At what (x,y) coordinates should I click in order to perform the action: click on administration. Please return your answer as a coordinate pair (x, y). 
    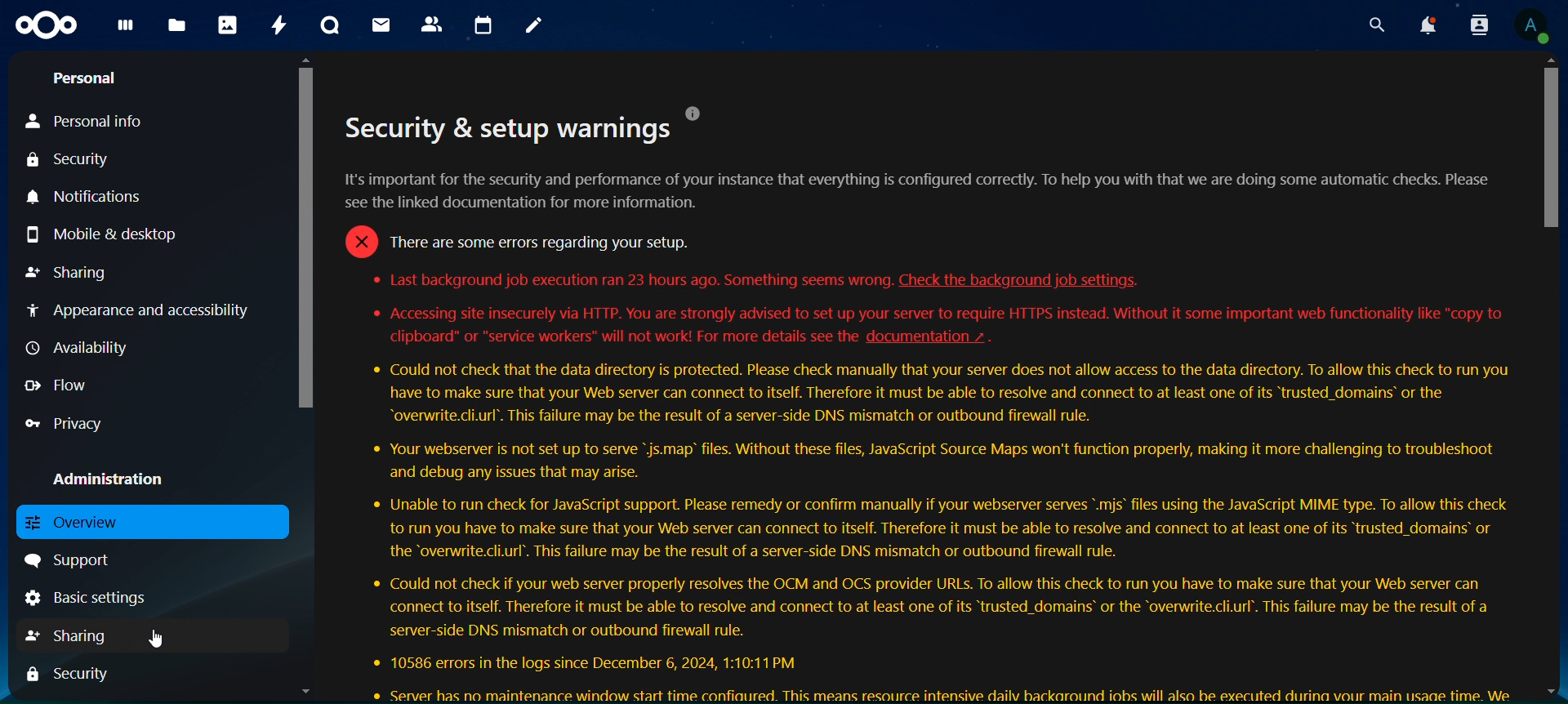
    Looking at the image, I should click on (109, 481).